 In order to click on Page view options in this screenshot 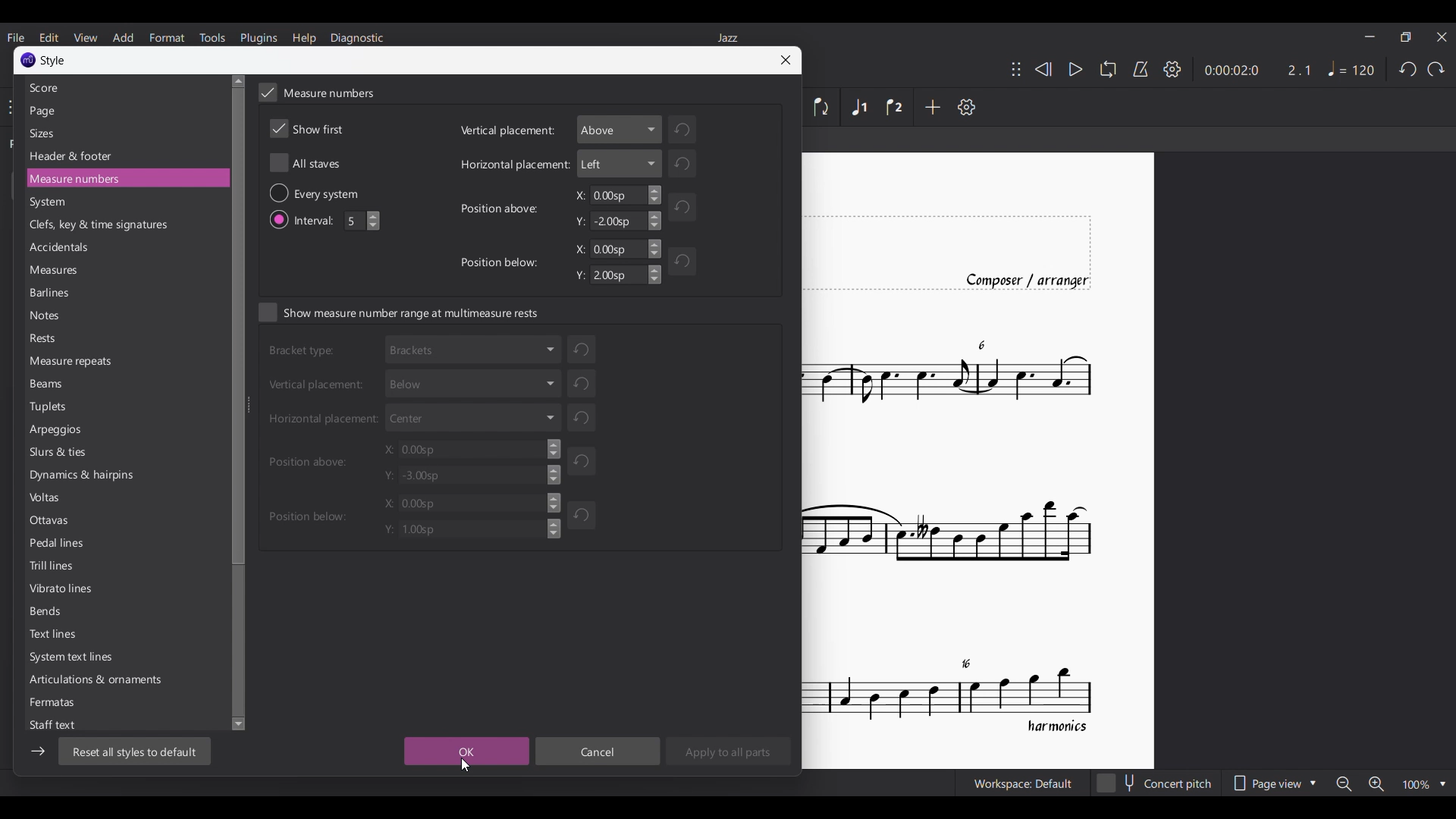, I will do `click(1274, 783)`.